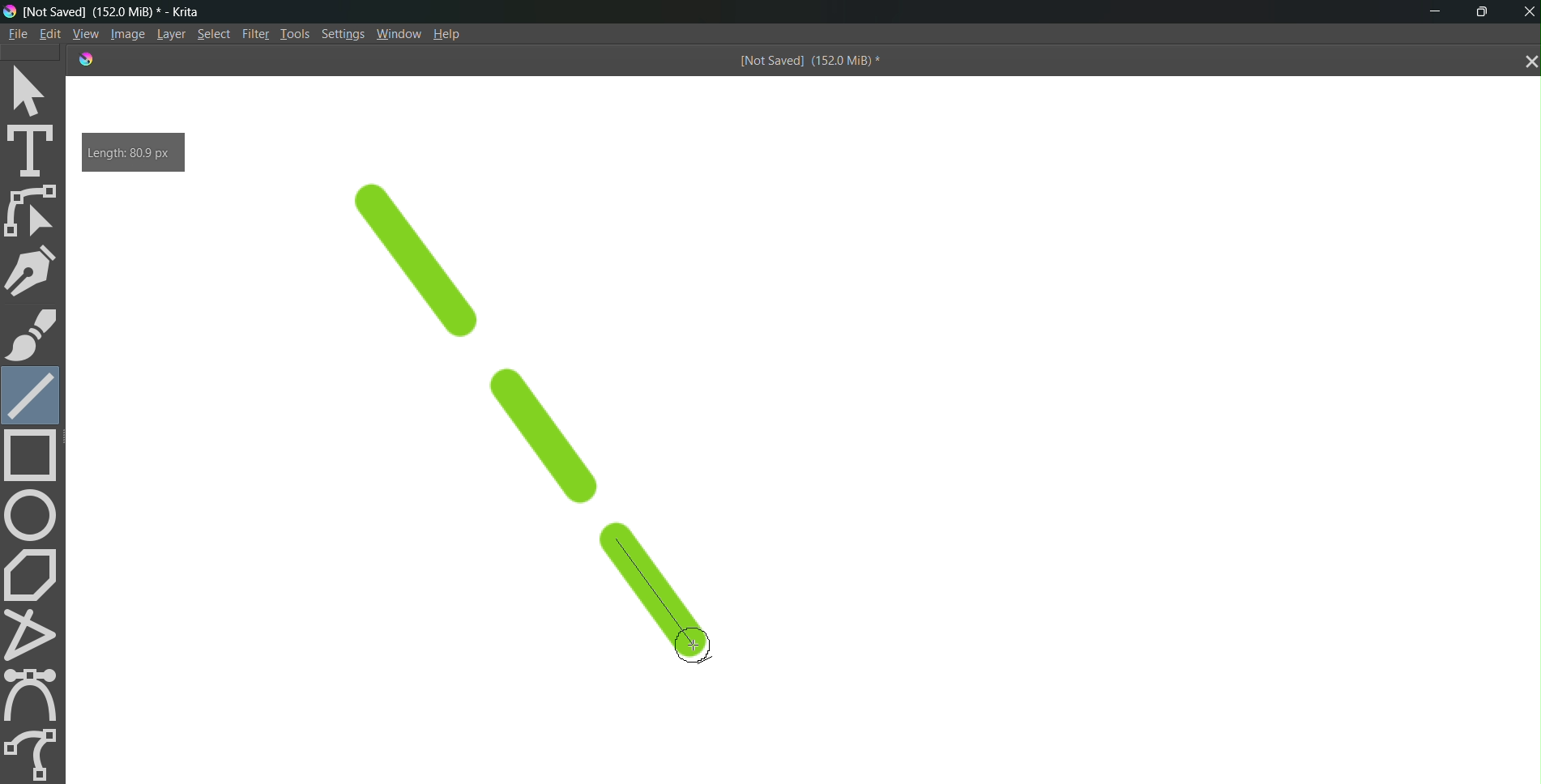 The width and height of the screenshot is (1541, 784). I want to click on Edit, so click(50, 34).